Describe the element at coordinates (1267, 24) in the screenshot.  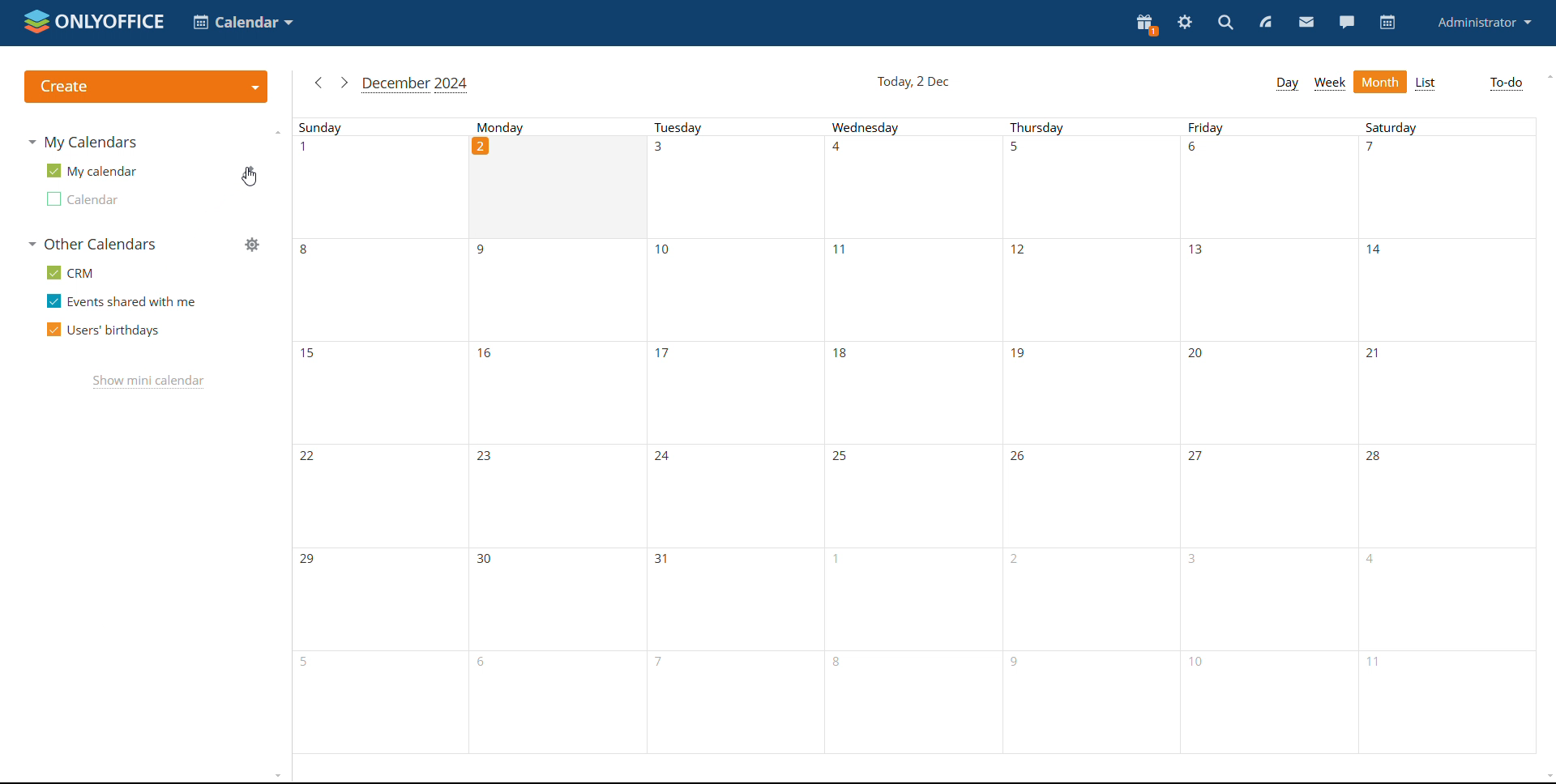
I see `feed` at that location.